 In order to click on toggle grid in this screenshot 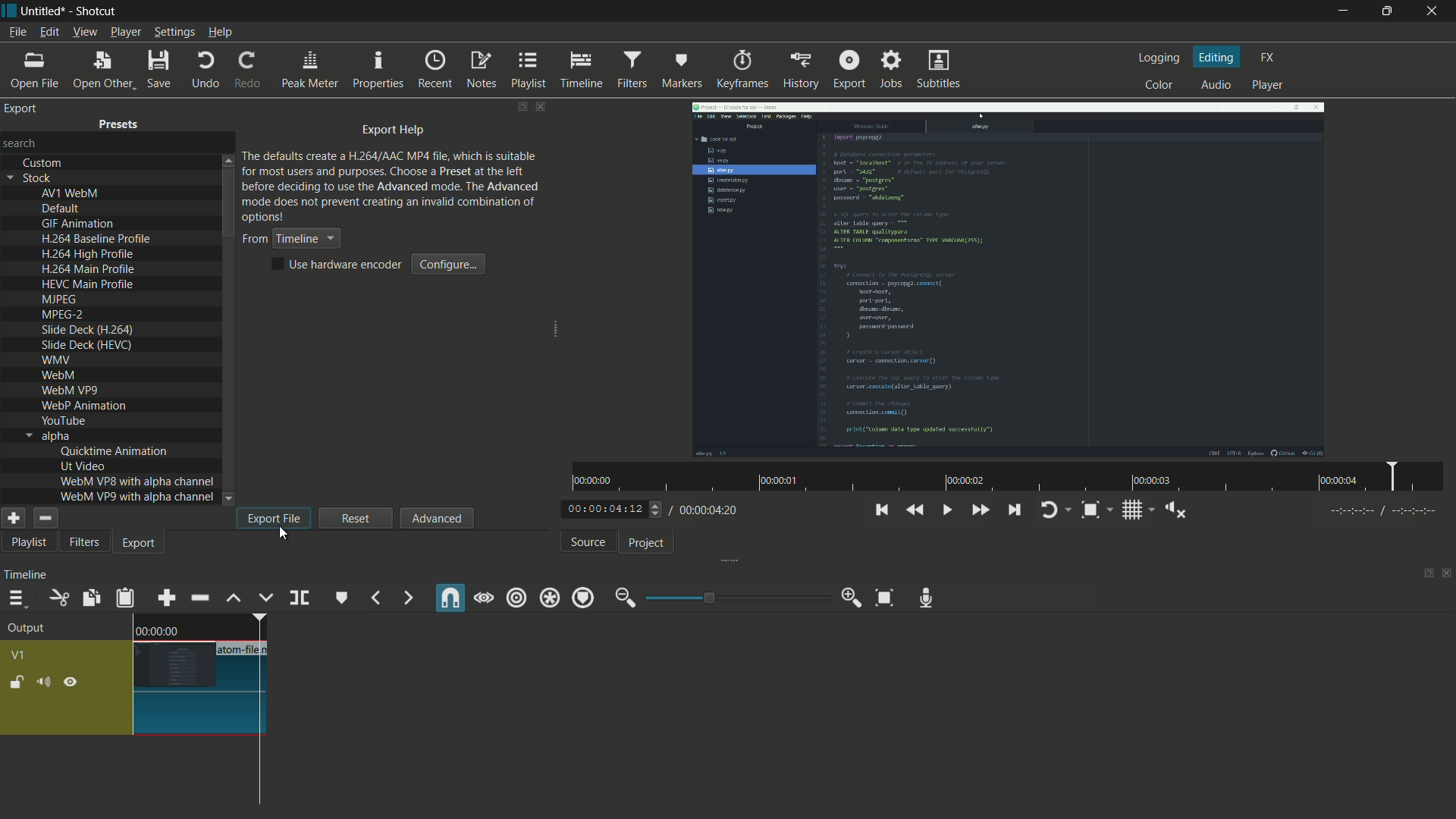, I will do `click(1132, 512)`.